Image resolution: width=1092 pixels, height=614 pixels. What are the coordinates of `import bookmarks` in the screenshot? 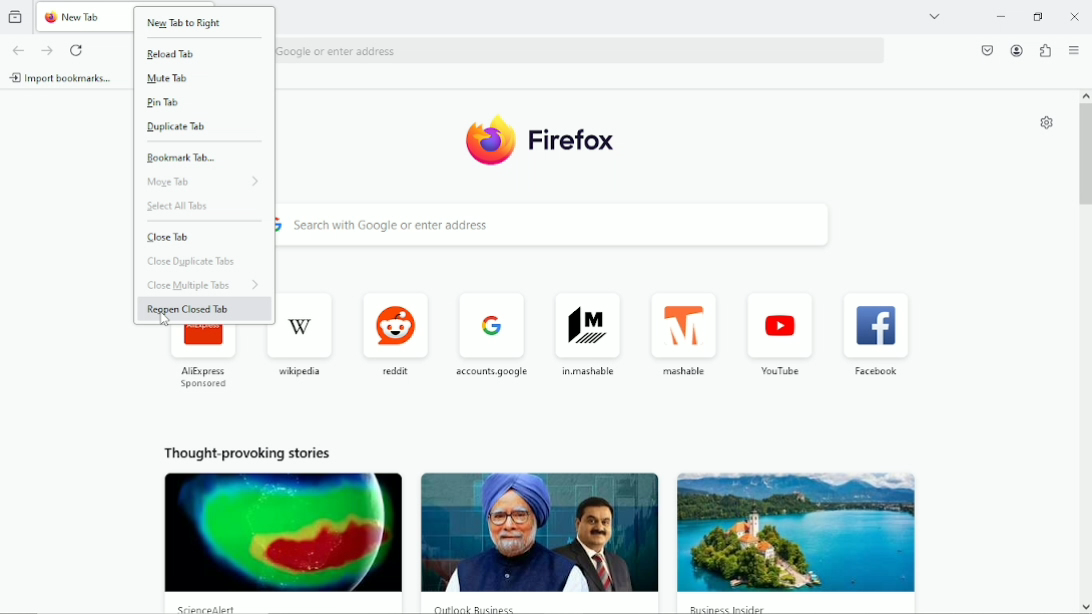 It's located at (59, 78).